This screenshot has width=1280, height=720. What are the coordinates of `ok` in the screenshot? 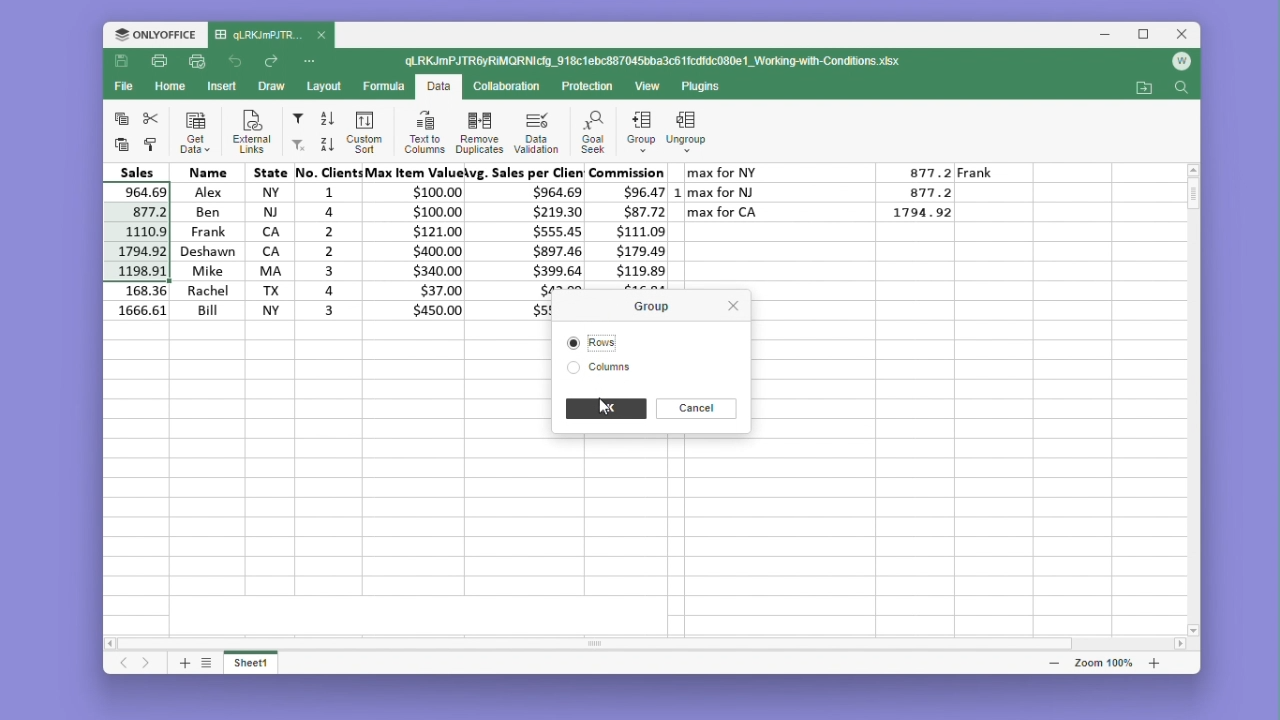 It's located at (605, 409).